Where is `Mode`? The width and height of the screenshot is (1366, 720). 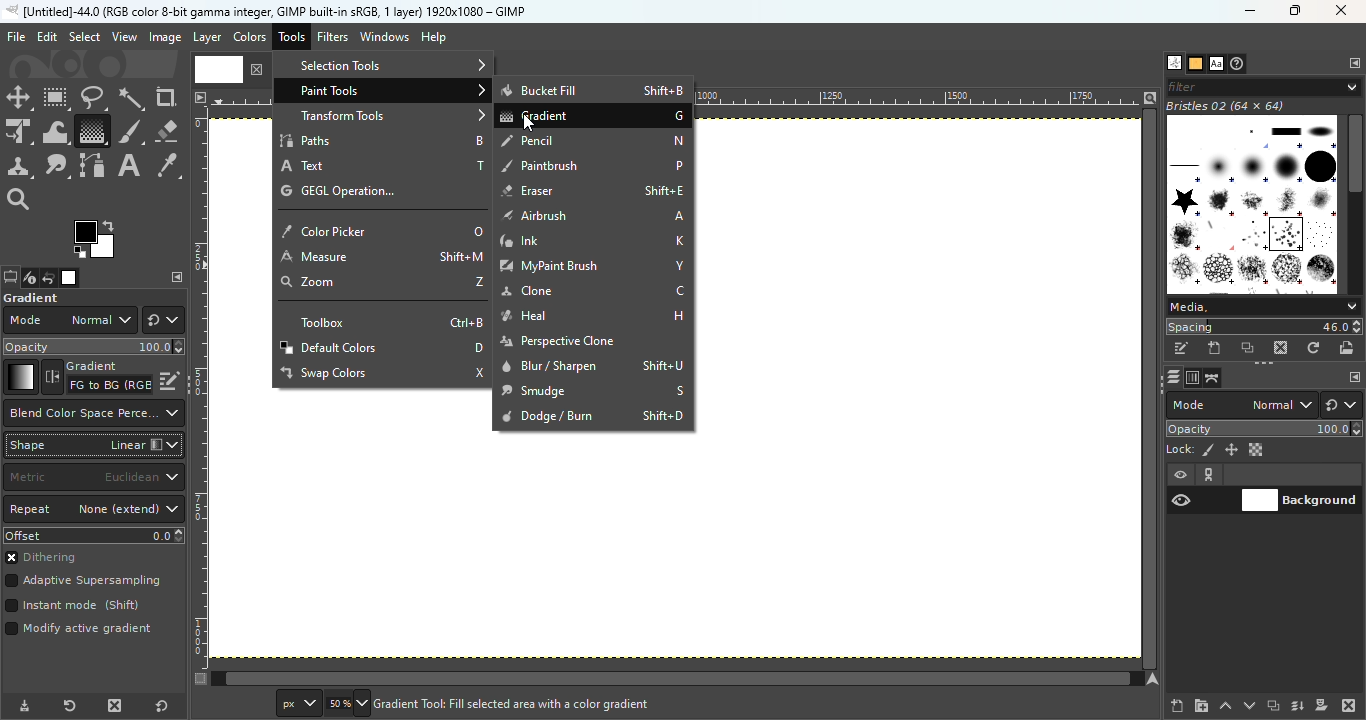
Mode is located at coordinates (1242, 405).